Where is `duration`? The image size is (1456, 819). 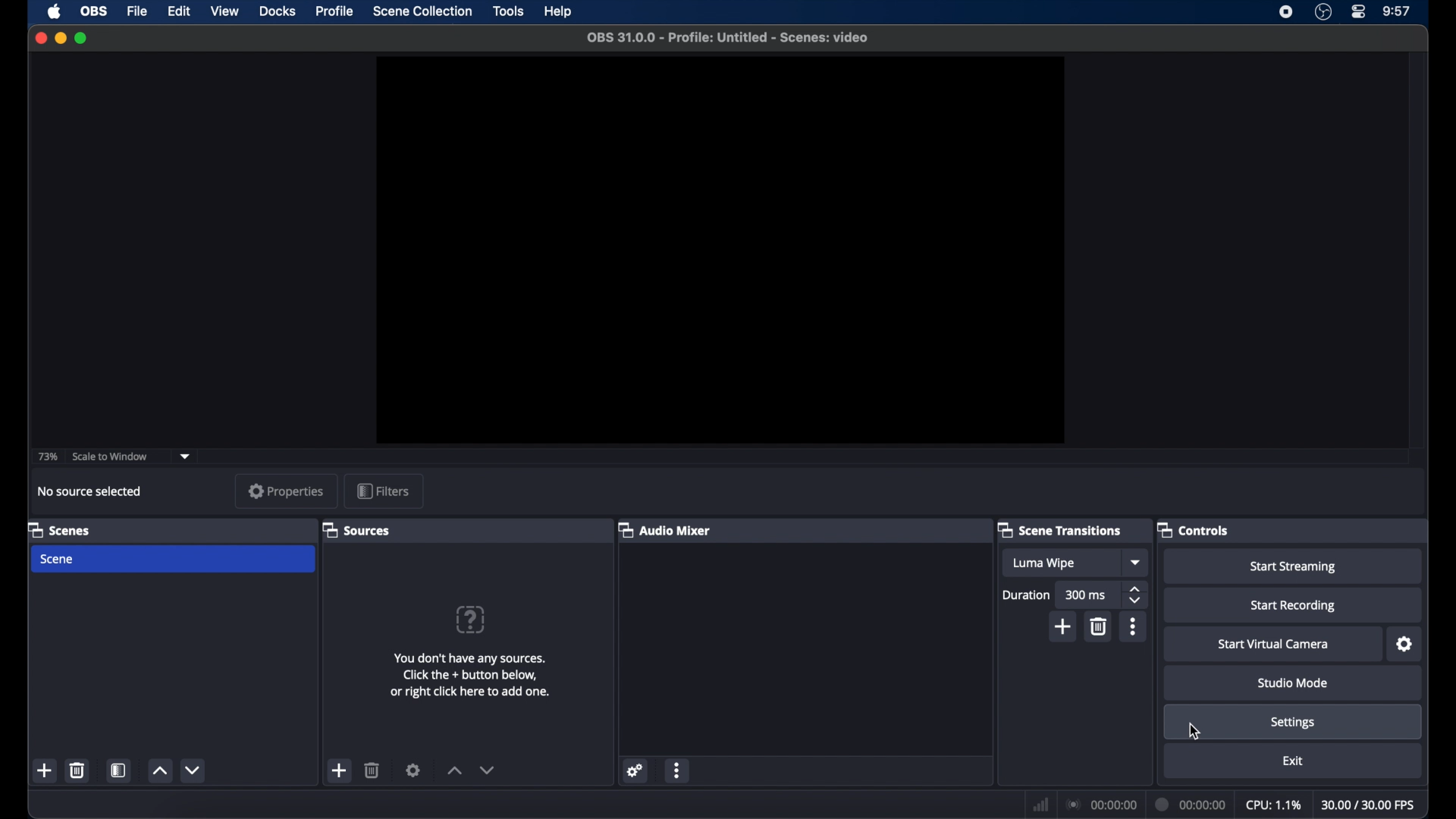 duration is located at coordinates (1027, 595).